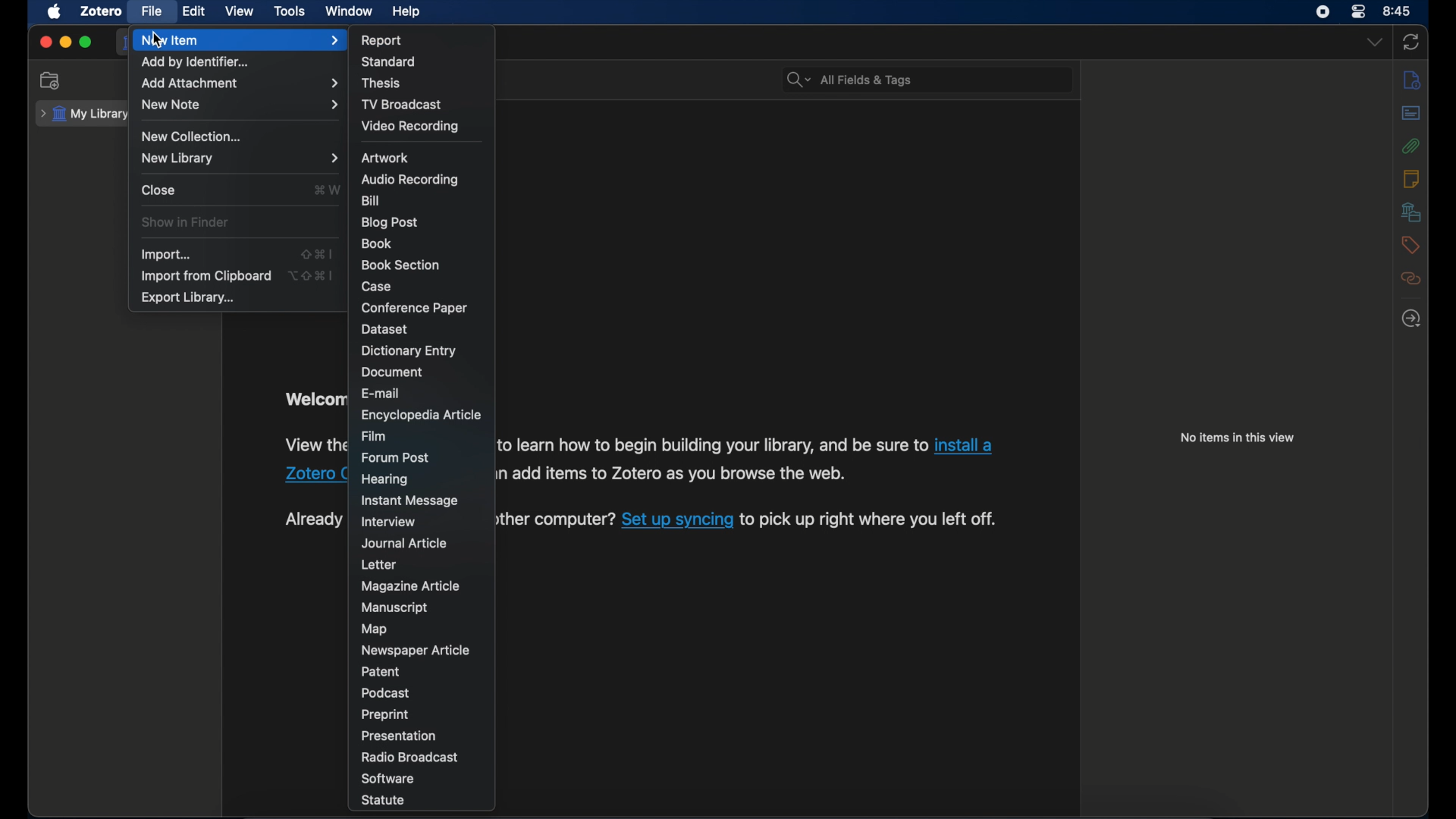 Image resolution: width=1456 pixels, height=819 pixels. What do you see at coordinates (384, 800) in the screenshot?
I see `statue` at bounding box center [384, 800].